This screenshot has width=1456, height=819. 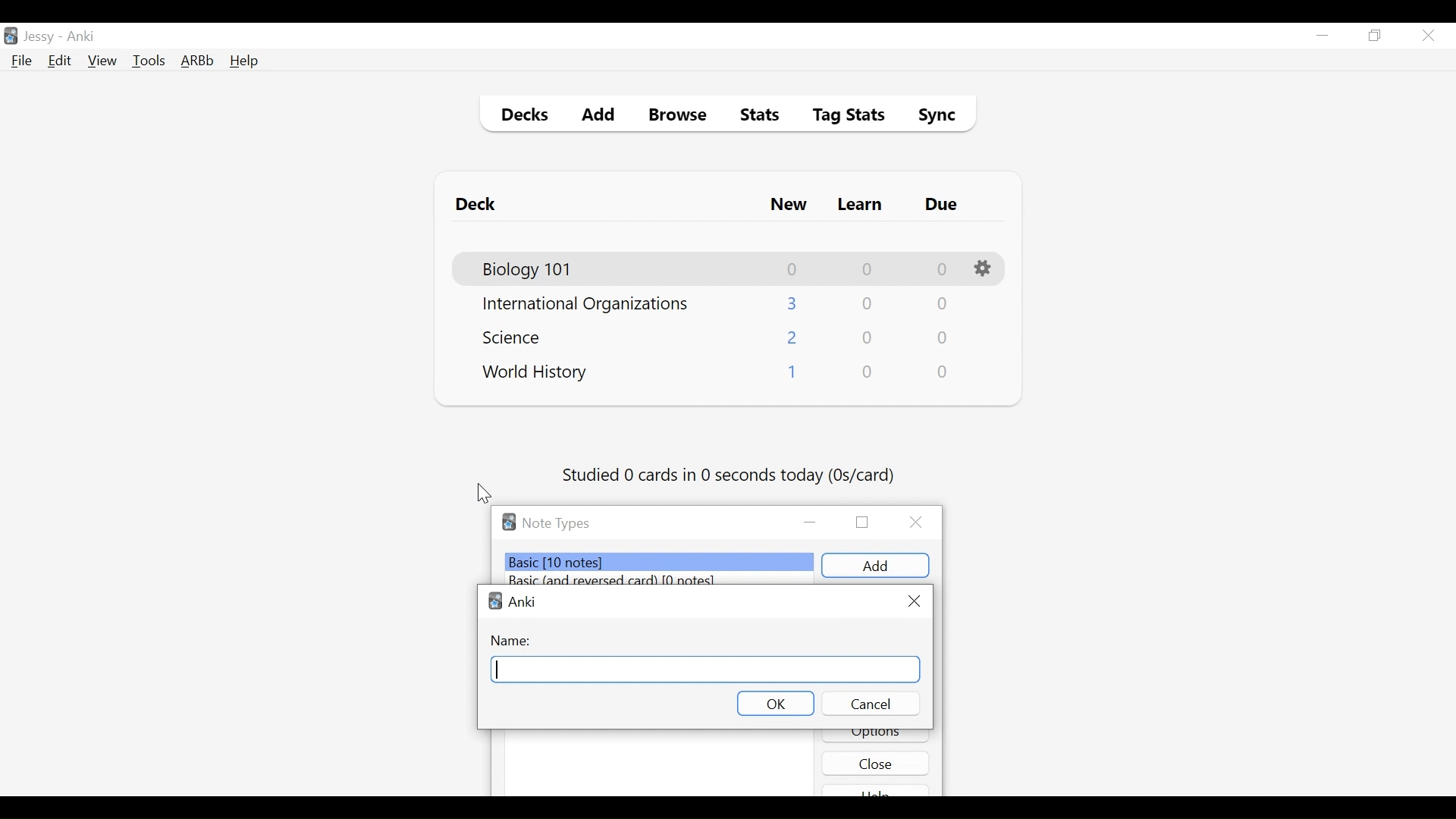 What do you see at coordinates (556, 523) in the screenshot?
I see `Note Types` at bounding box center [556, 523].